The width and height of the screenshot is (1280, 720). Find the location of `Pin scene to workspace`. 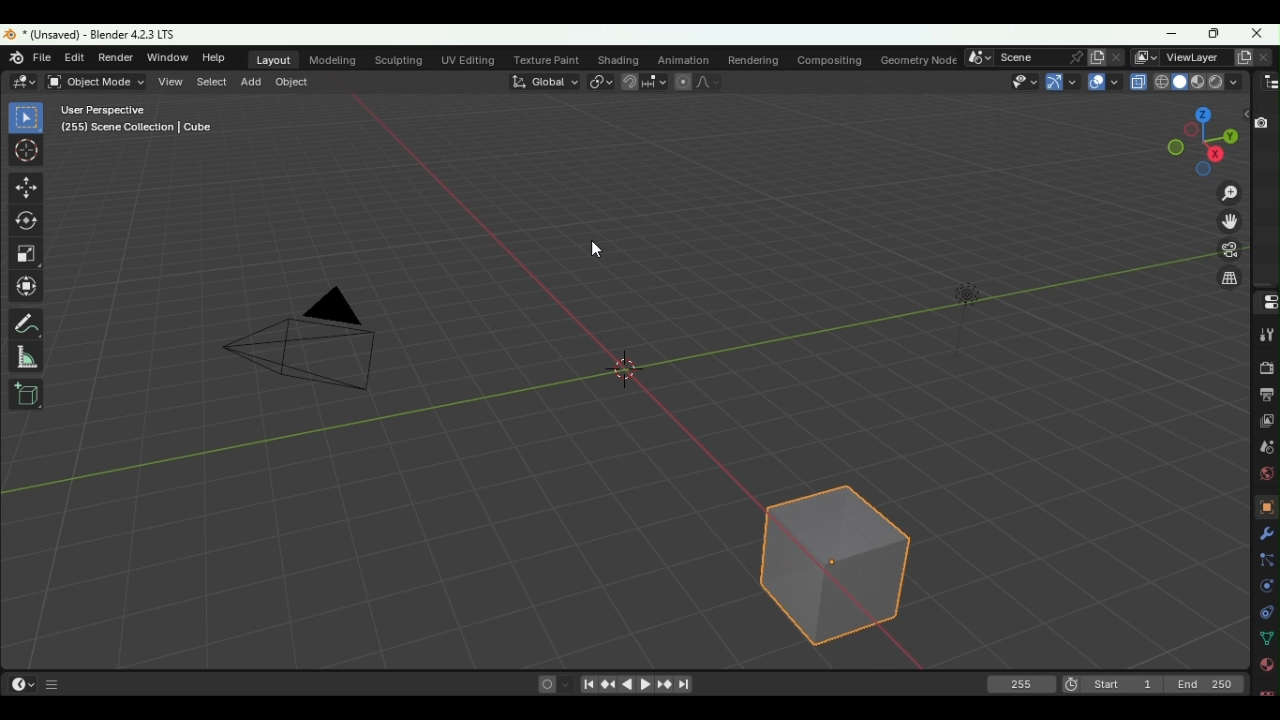

Pin scene to workspace is located at coordinates (1072, 57).